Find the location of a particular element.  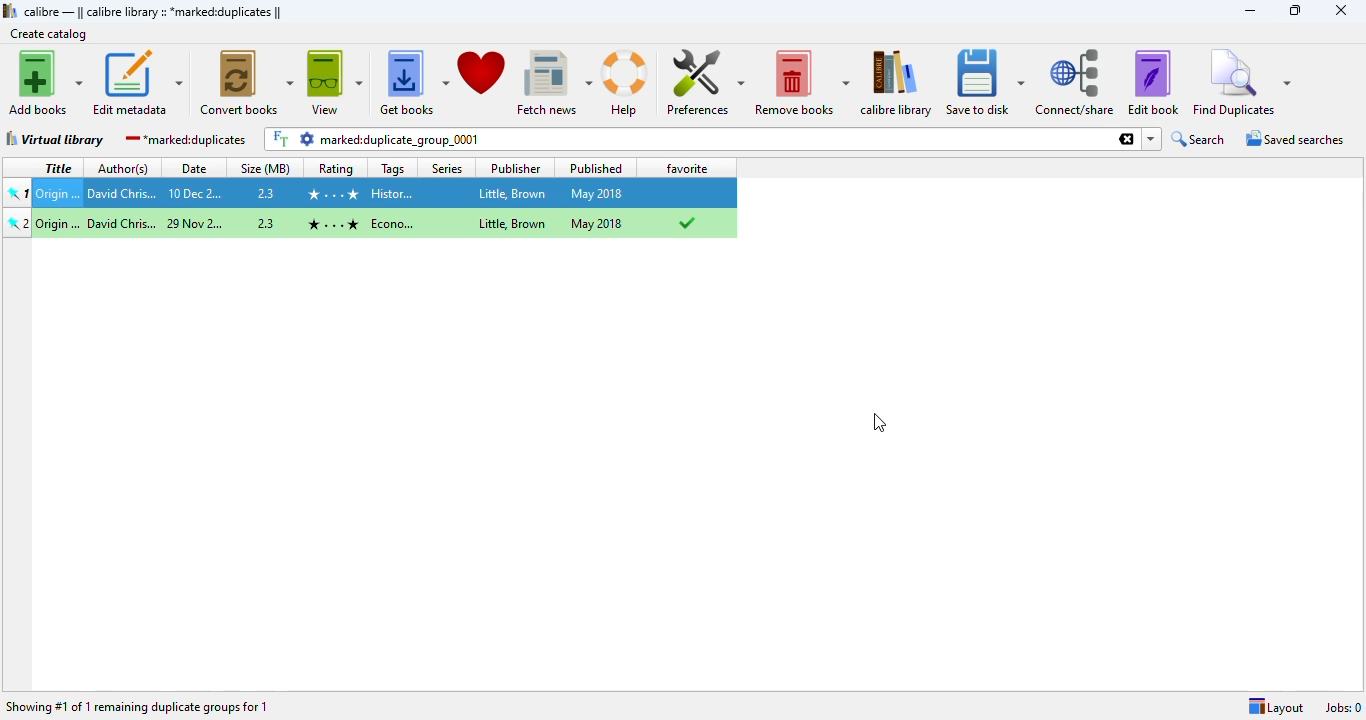

logo is located at coordinates (9, 11).